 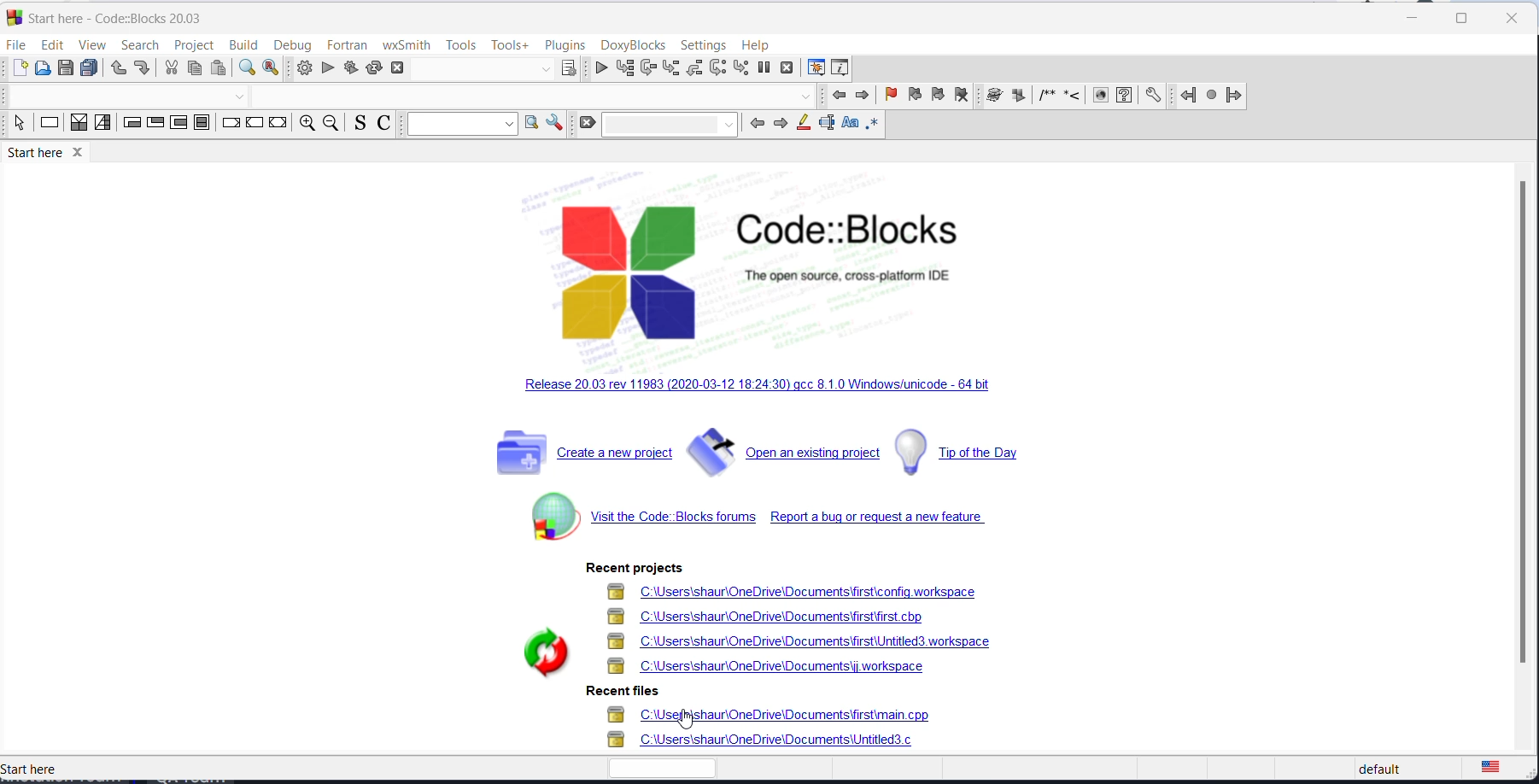 I want to click on tip of the day, so click(x=973, y=451).